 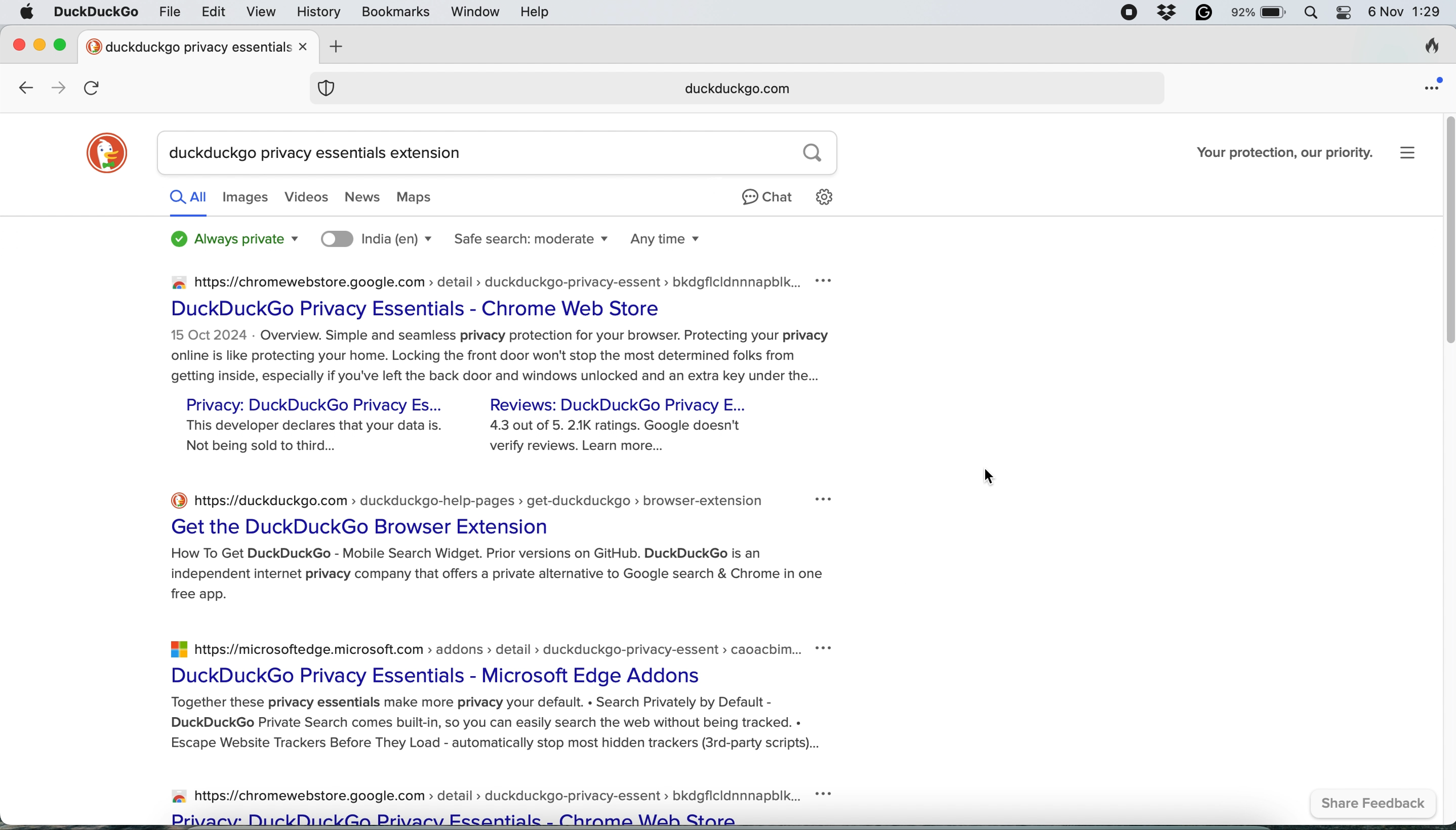 What do you see at coordinates (322, 13) in the screenshot?
I see `history` at bounding box center [322, 13].